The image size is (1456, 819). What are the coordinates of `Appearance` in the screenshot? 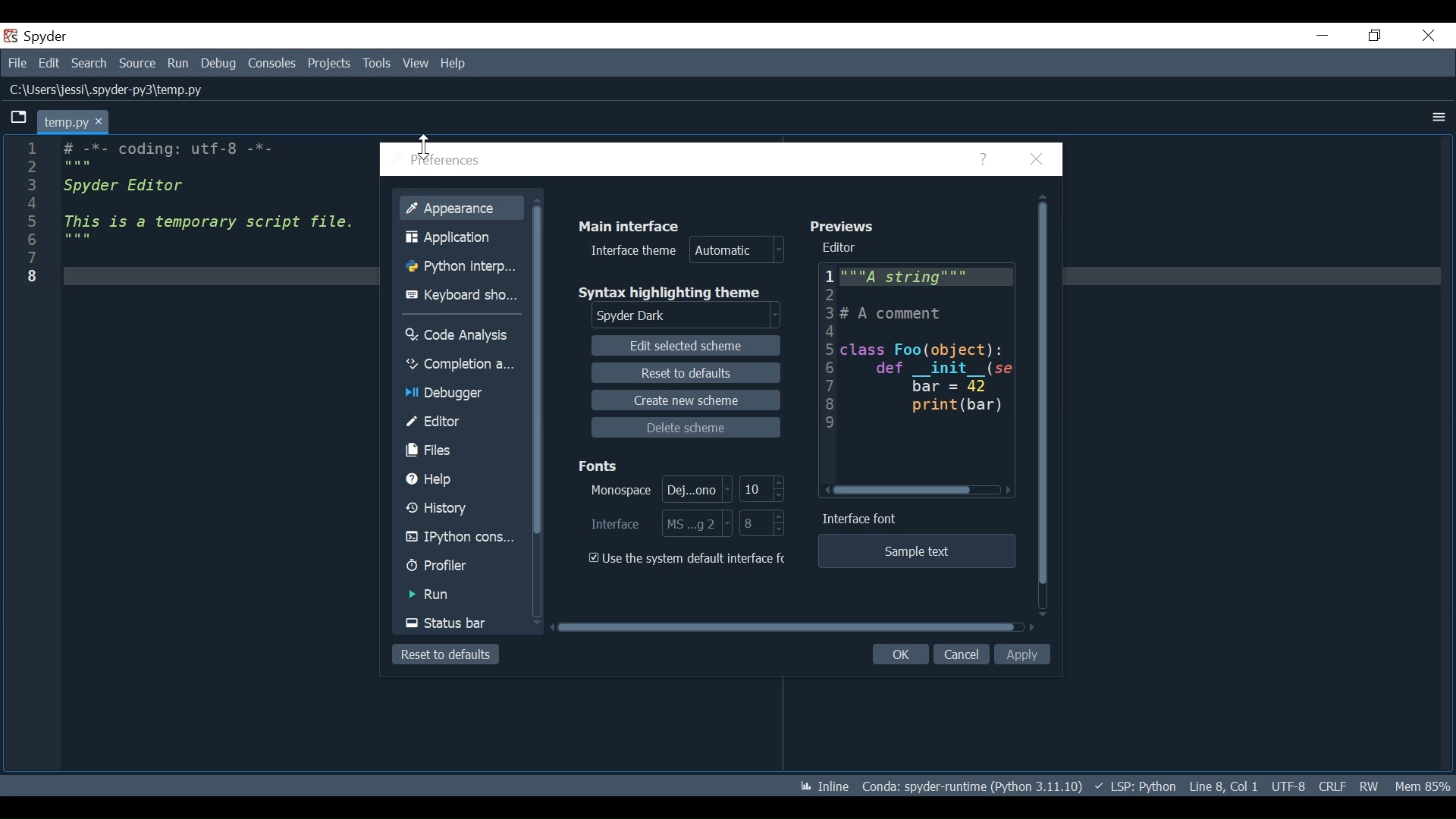 It's located at (461, 209).